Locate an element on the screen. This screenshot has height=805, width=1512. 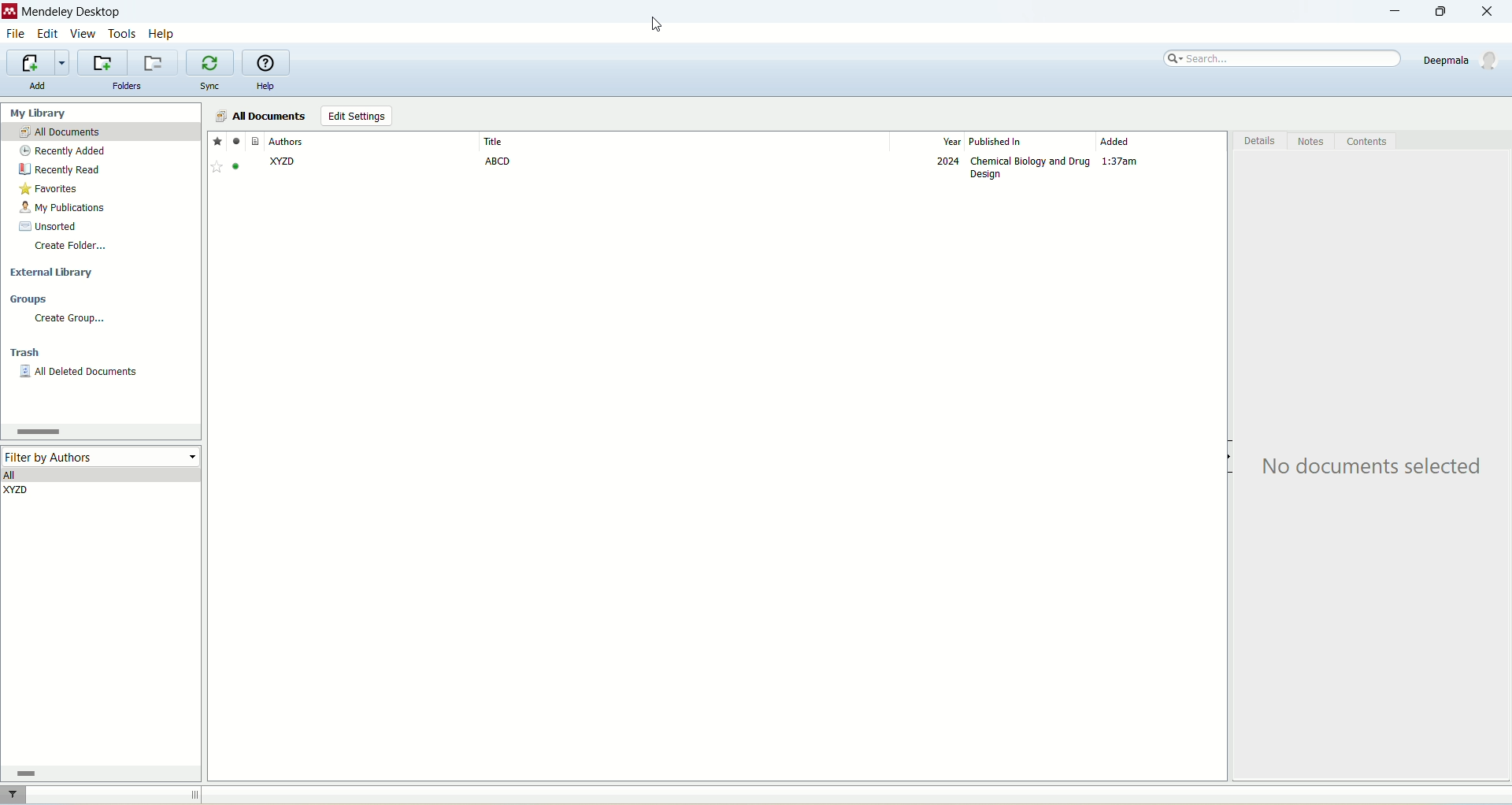
XX2D is located at coordinates (285, 161).